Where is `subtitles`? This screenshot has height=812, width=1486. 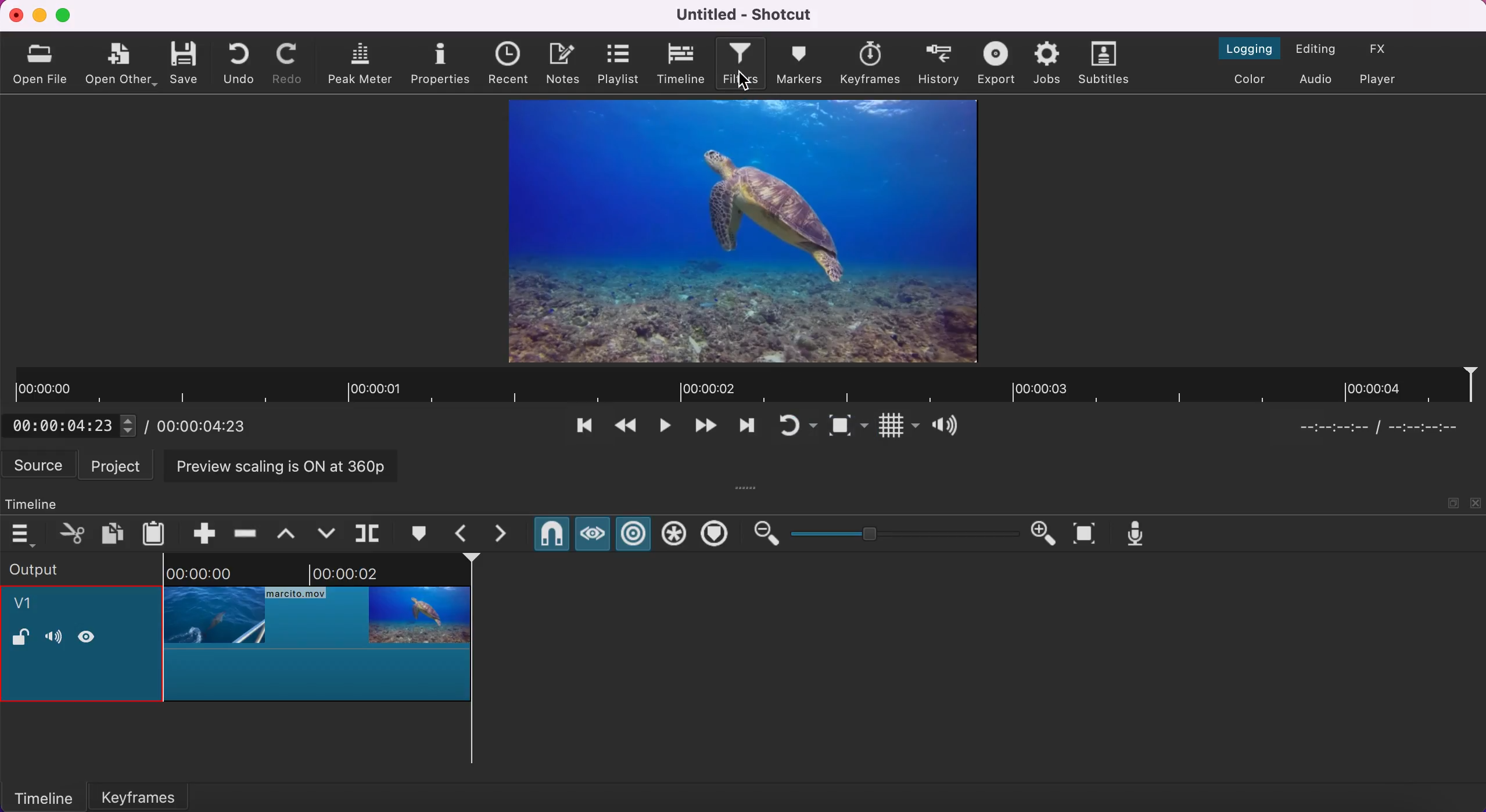
subtitles is located at coordinates (1105, 63).